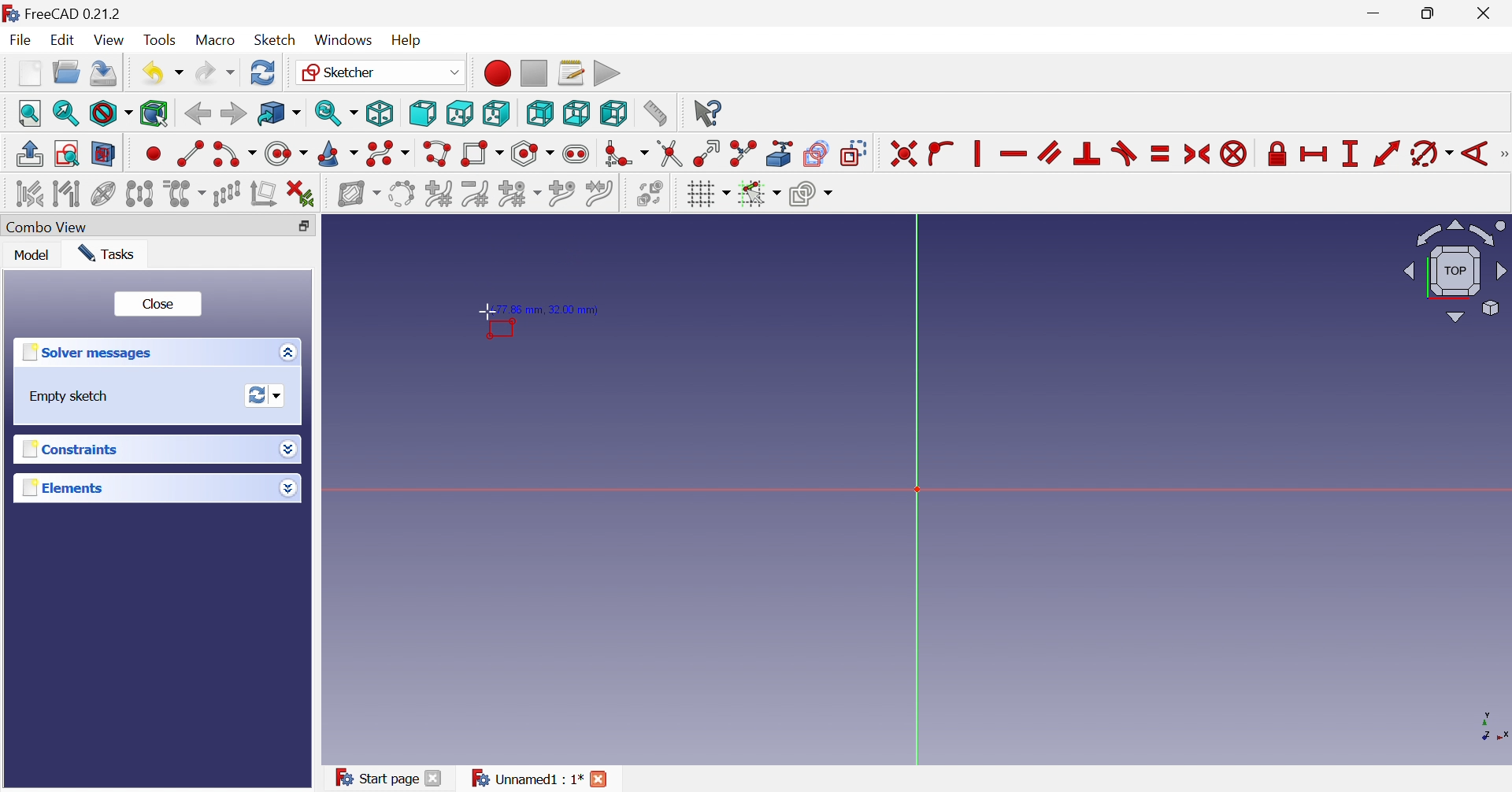 Image resolution: width=1512 pixels, height=792 pixels. I want to click on Tasks, so click(108, 254).